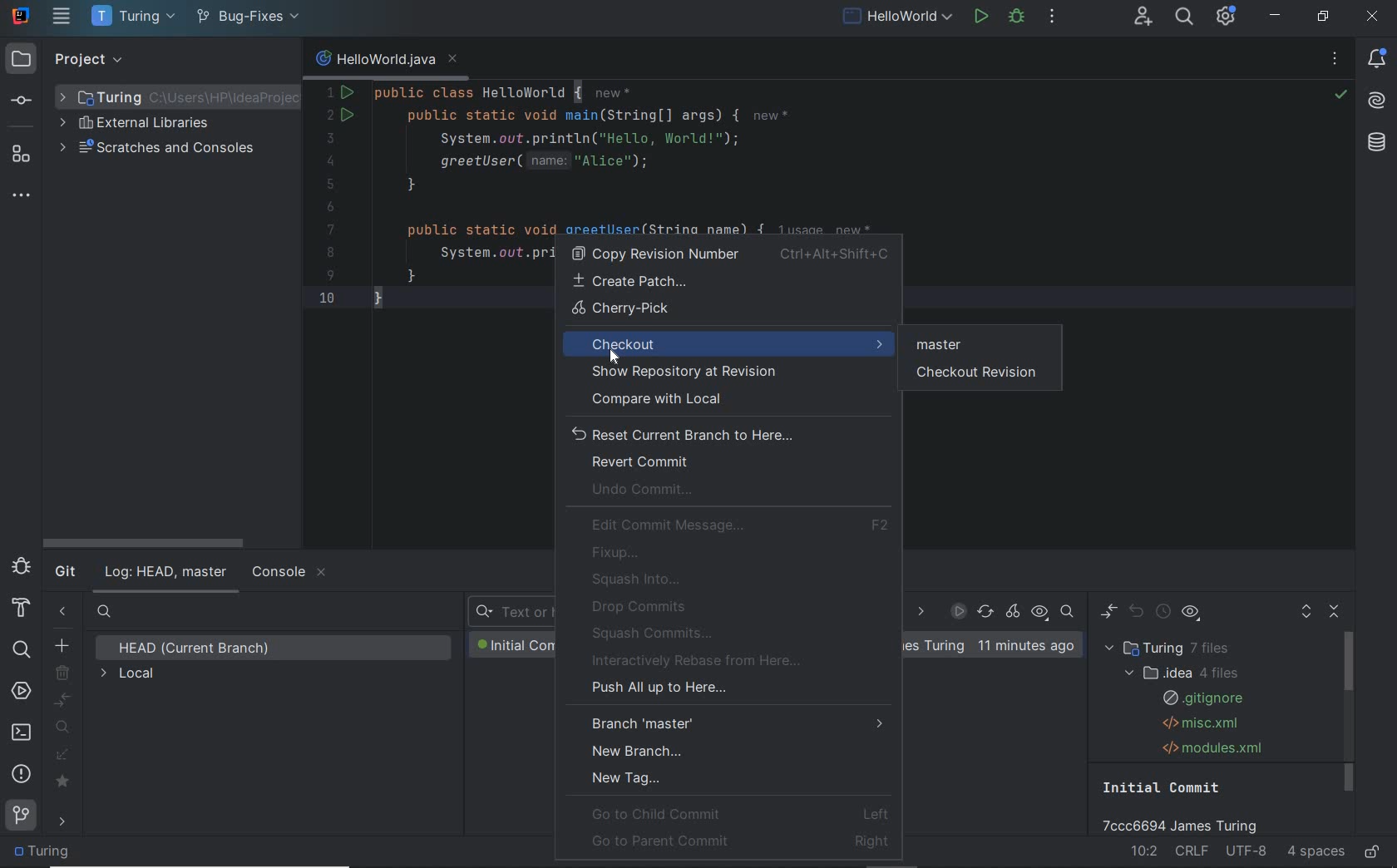 This screenshot has height=868, width=1397. Describe the element at coordinates (728, 433) in the screenshot. I see `rest current branch to here` at that location.